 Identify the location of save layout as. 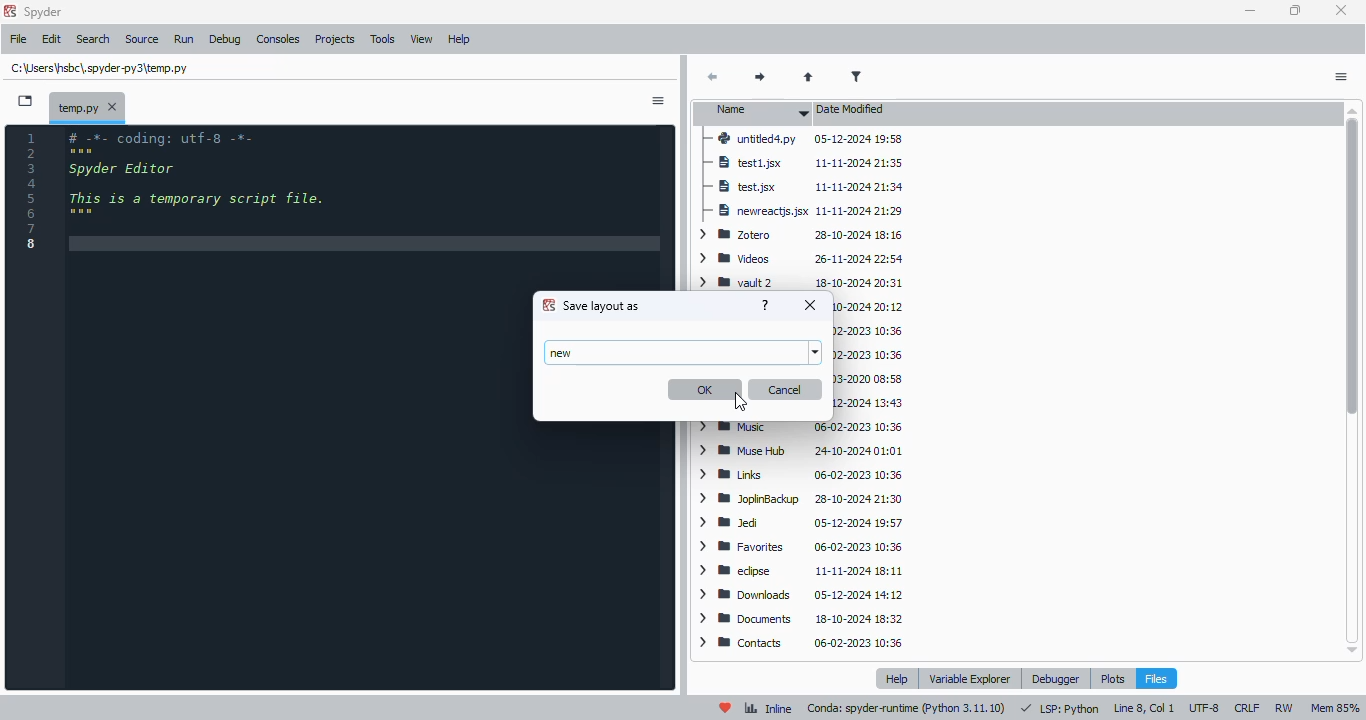
(602, 306).